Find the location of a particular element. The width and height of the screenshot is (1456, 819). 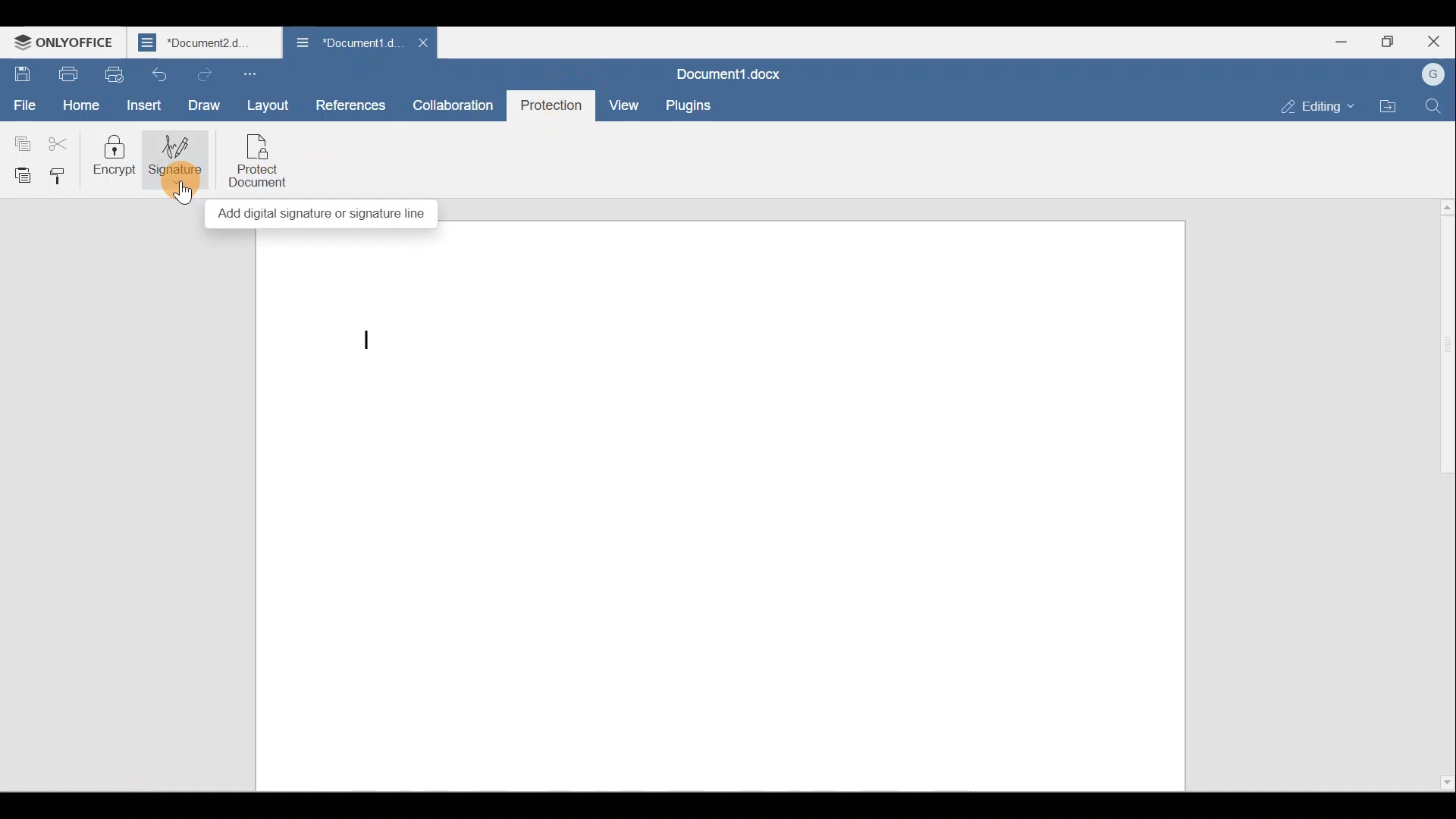

Scroll bar is located at coordinates (1439, 495).